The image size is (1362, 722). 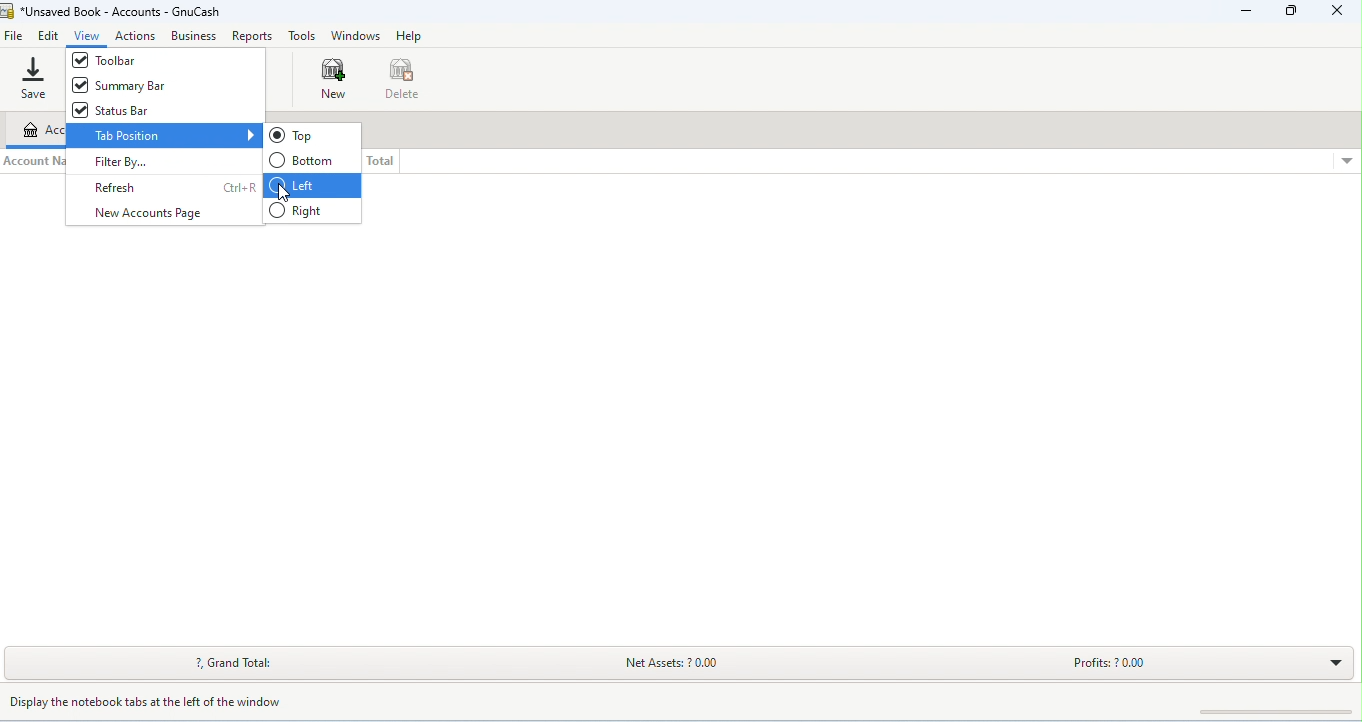 I want to click on view, so click(x=87, y=36).